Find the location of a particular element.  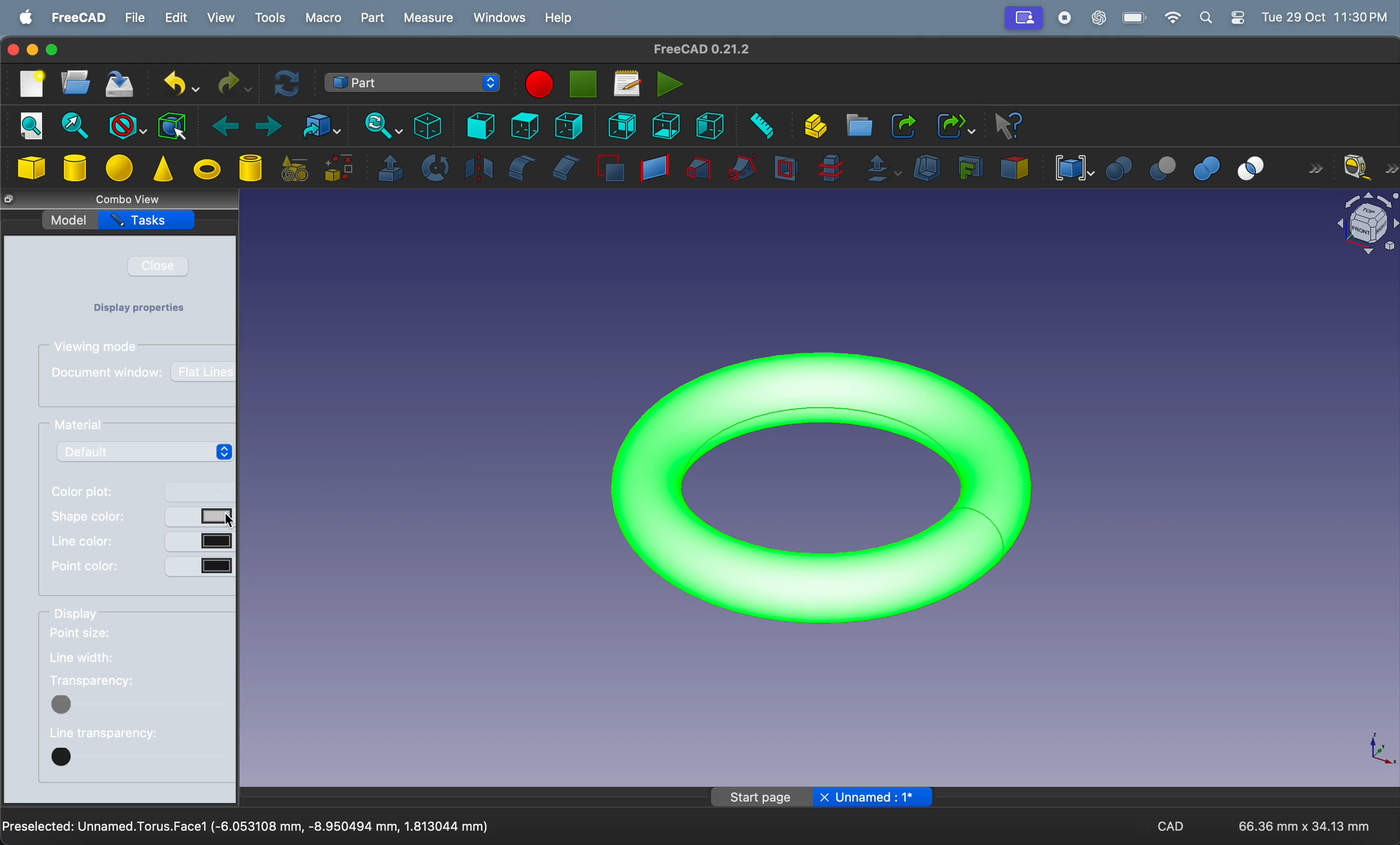

66.36 mm * 34.13 mm is located at coordinates (1305, 826).